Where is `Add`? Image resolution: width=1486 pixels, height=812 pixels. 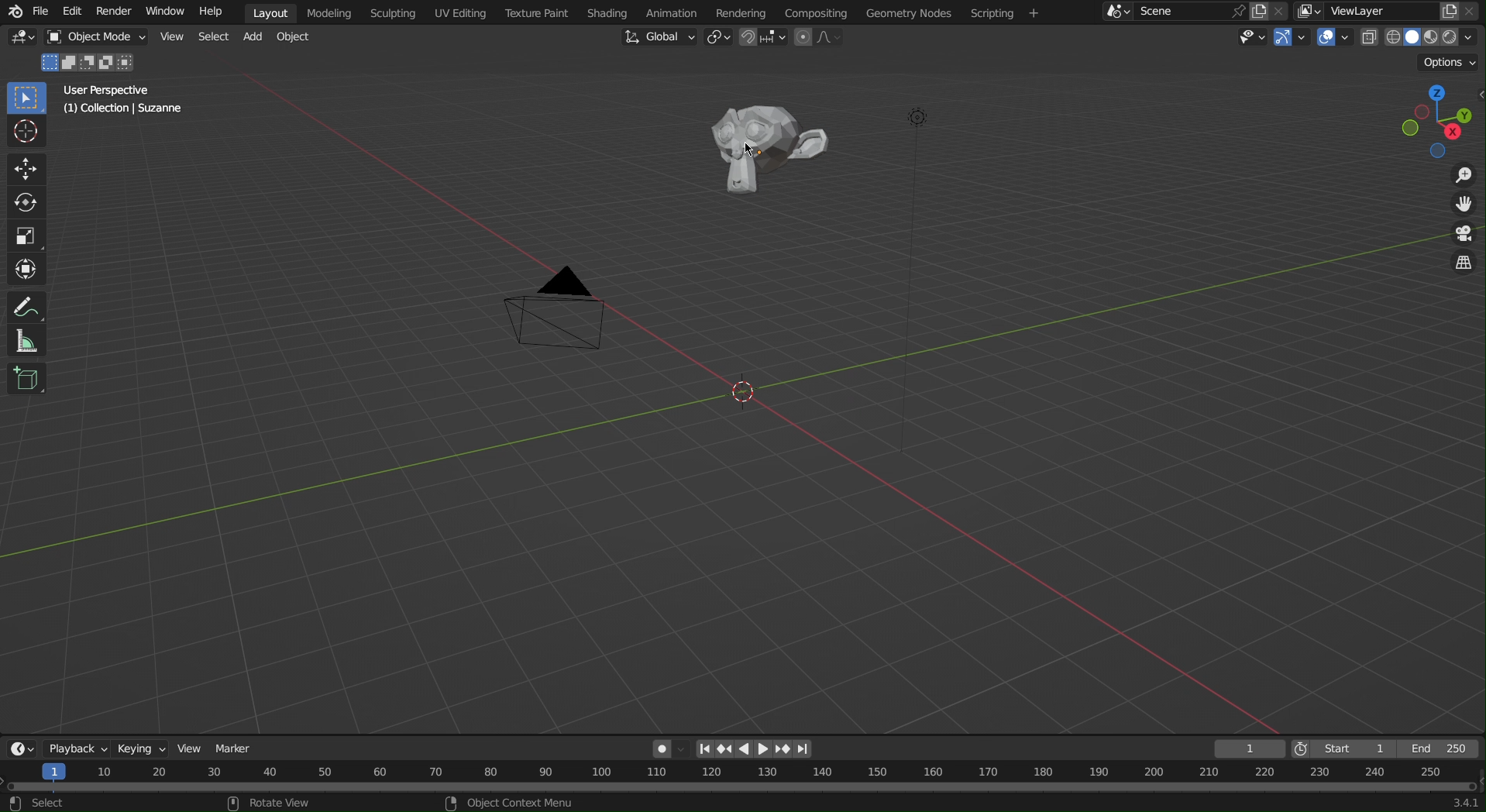 Add is located at coordinates (254, 42).